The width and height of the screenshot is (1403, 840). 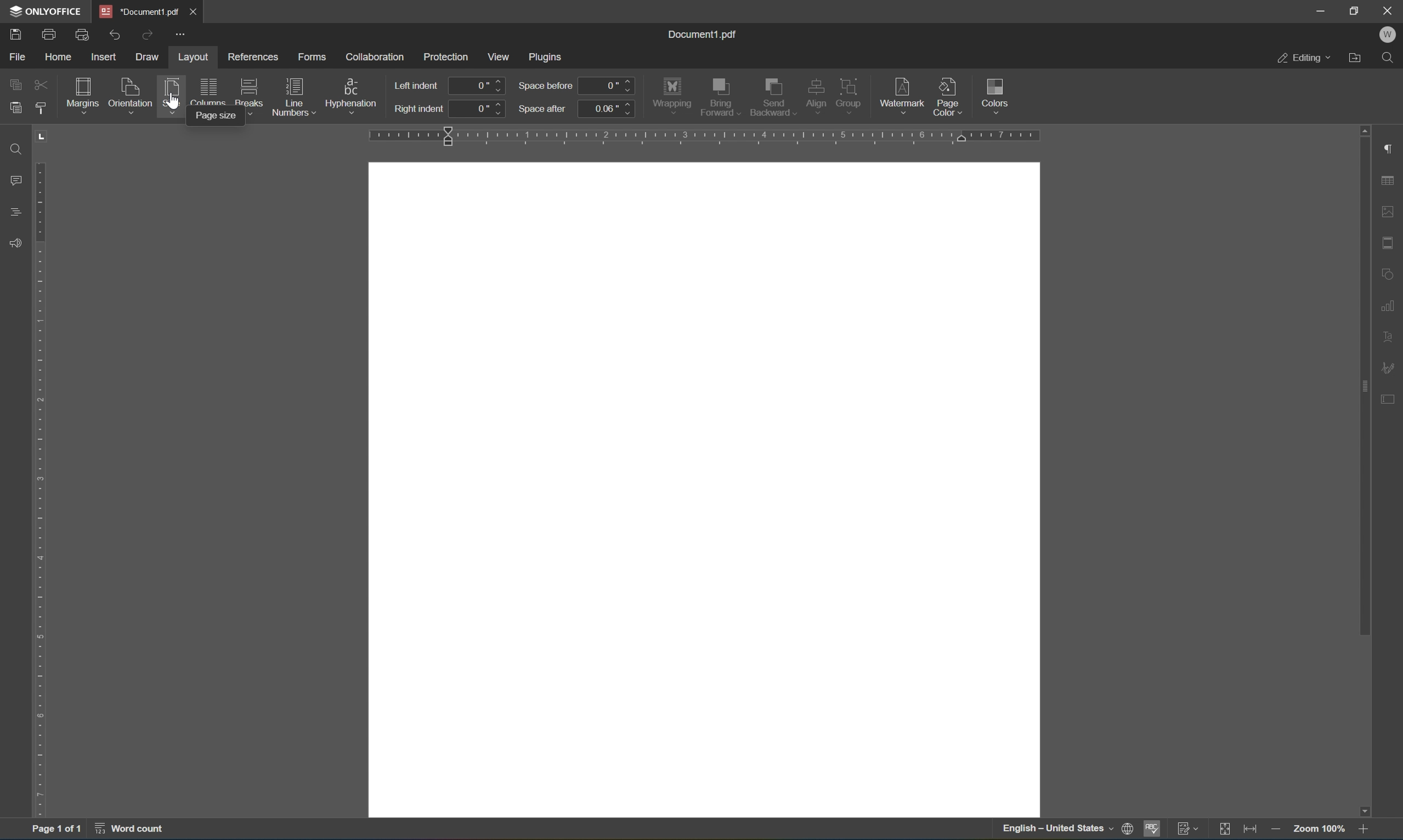 What do you see at coordinates (82, 93) in the screenshot?
I see `margins` at bounding box center [82, 93].